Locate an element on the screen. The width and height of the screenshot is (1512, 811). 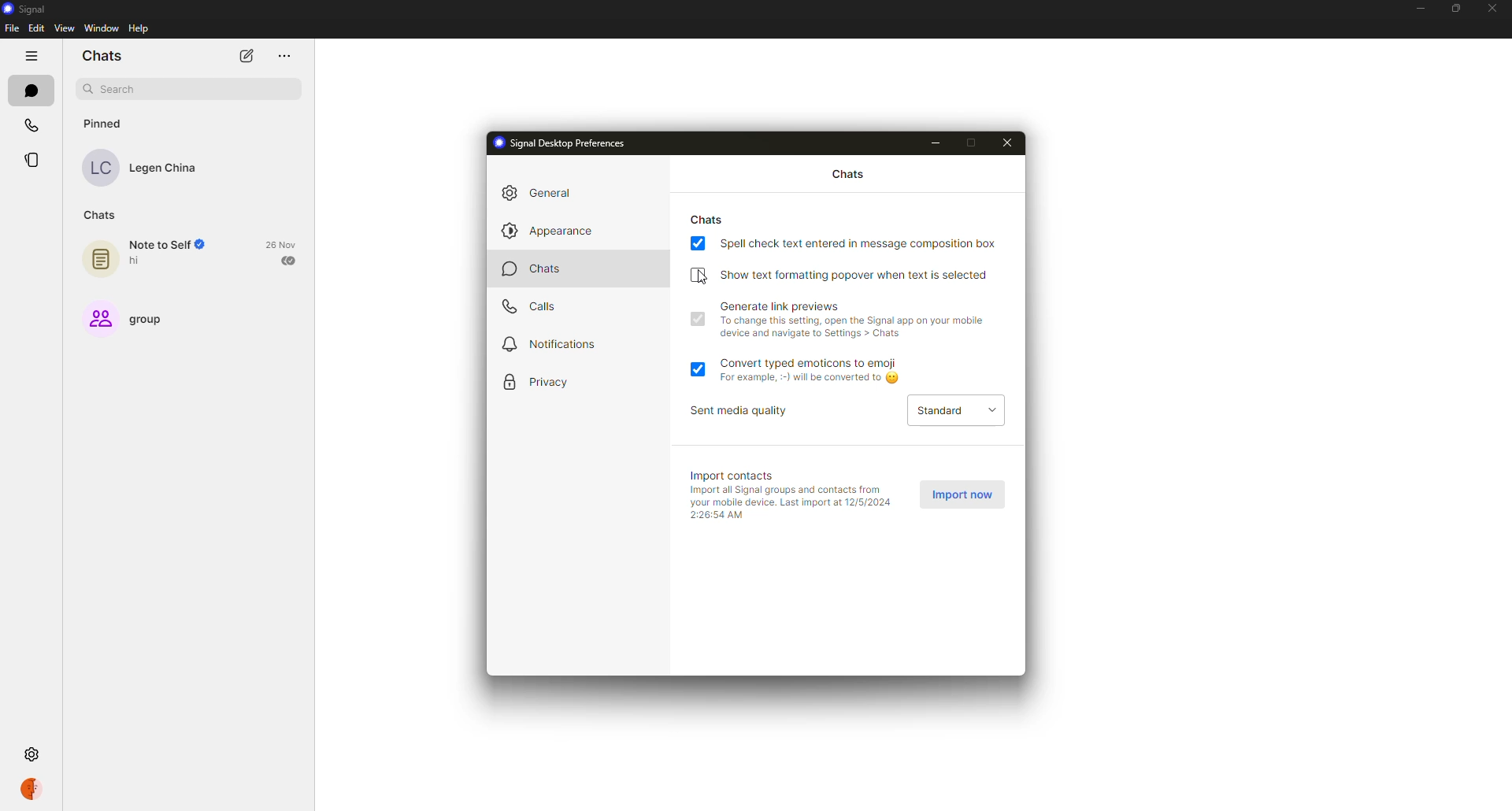
note to self is located at coordinates (154, 257).